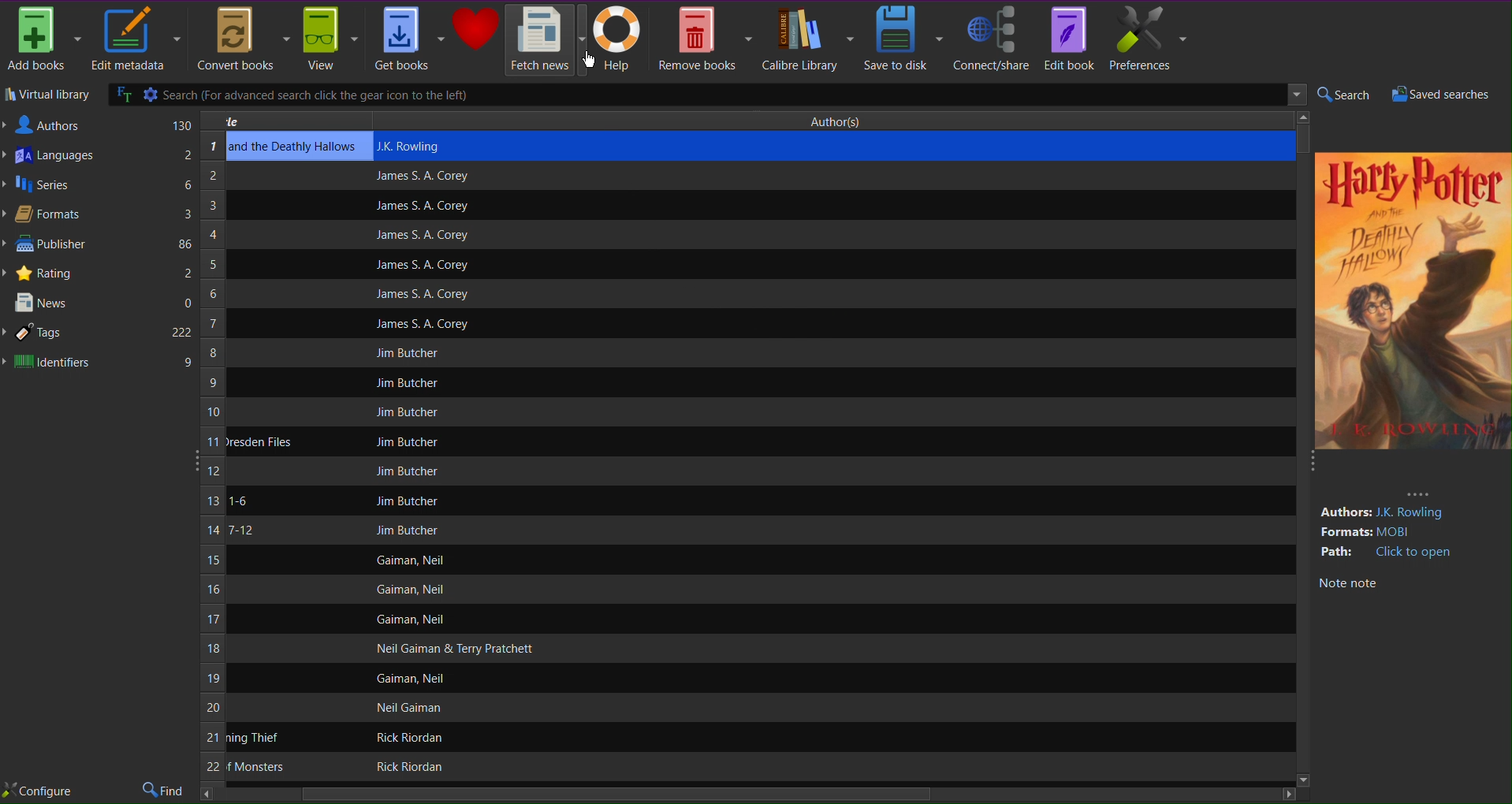 The height and width of the screenshot is (804, 1512). I want to click on Jim butcher, so click(411, 352).